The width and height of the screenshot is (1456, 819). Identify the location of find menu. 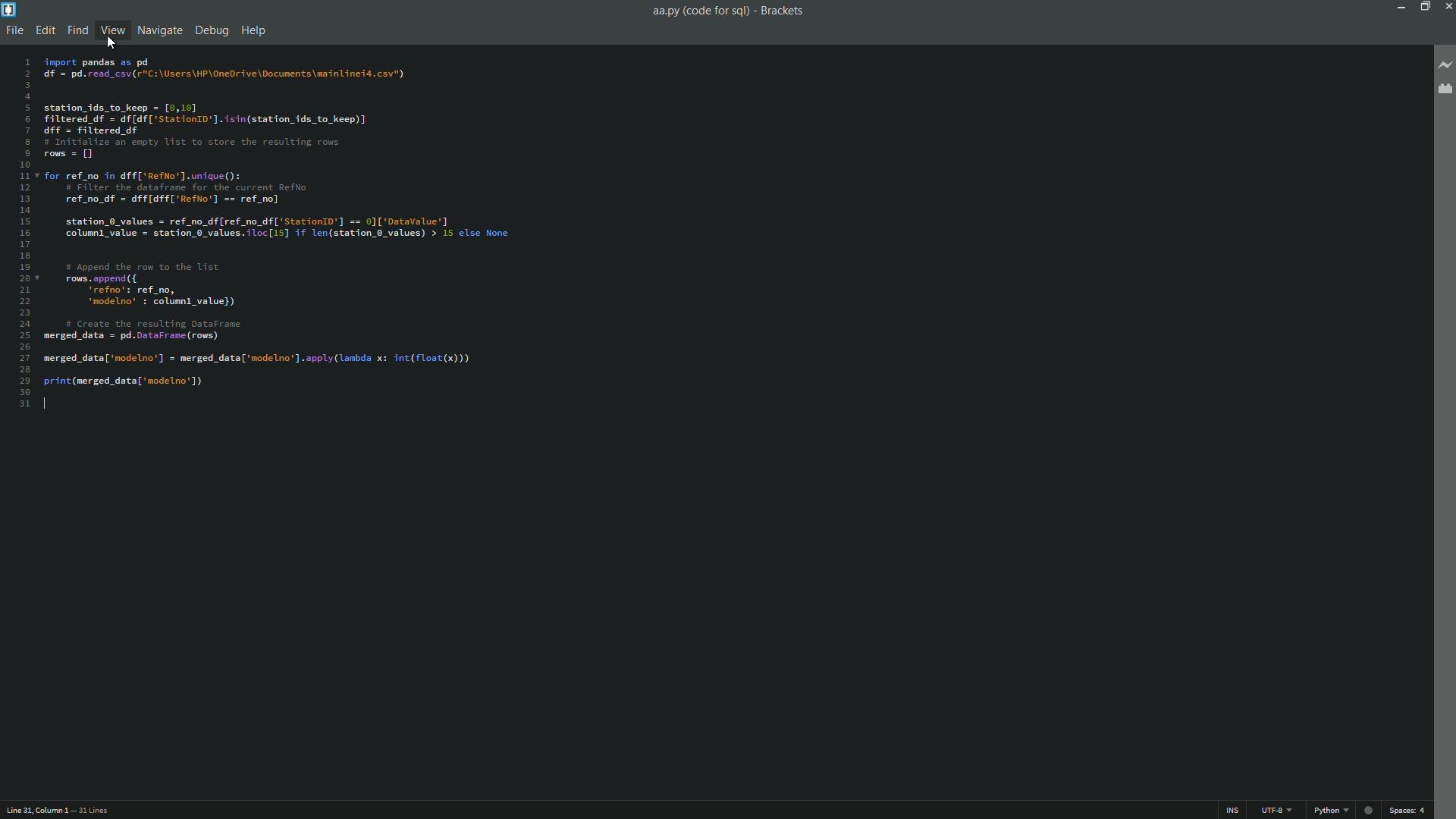
(76, 30).